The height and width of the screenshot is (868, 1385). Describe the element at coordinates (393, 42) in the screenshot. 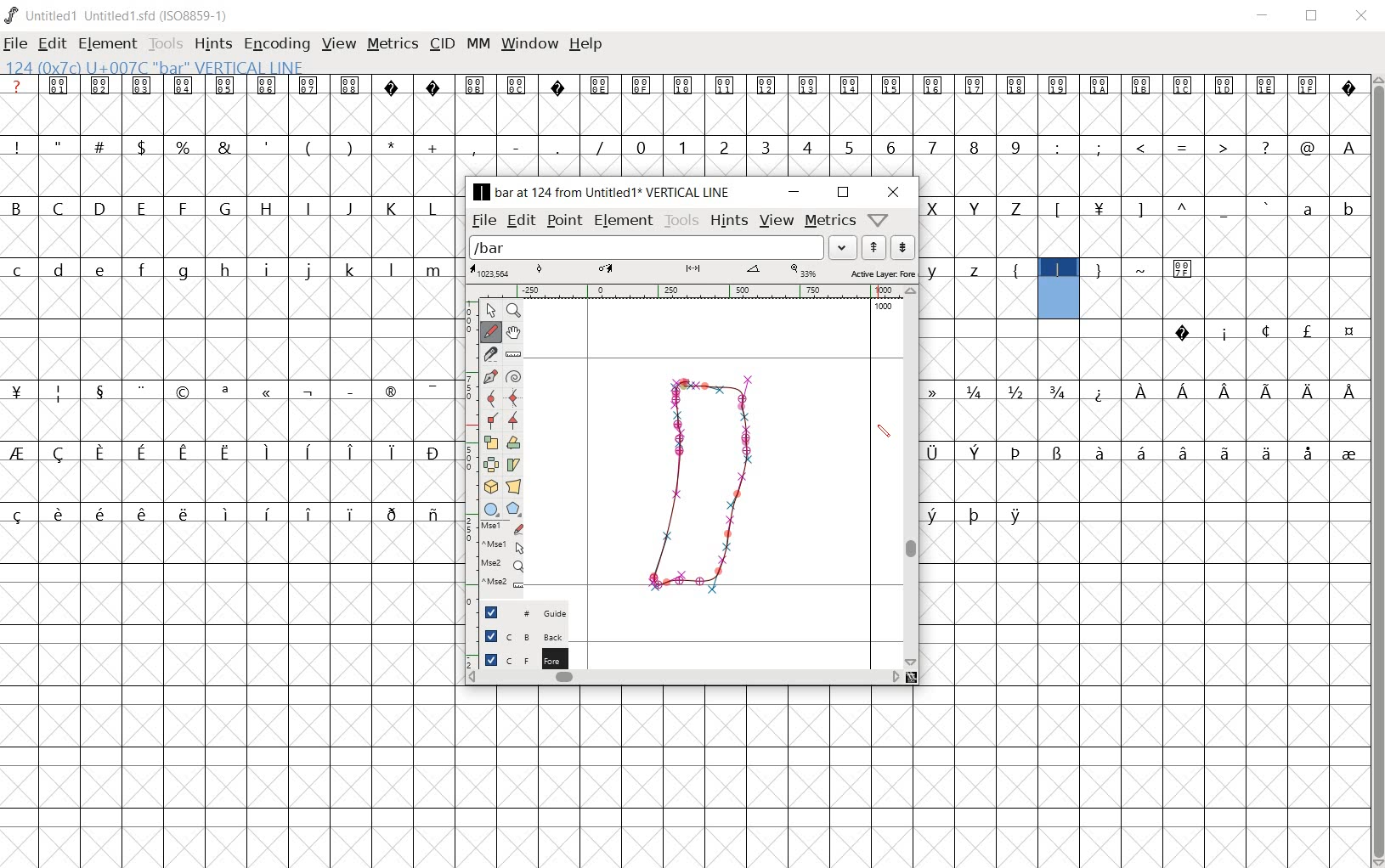

I see `metrics` at that location.